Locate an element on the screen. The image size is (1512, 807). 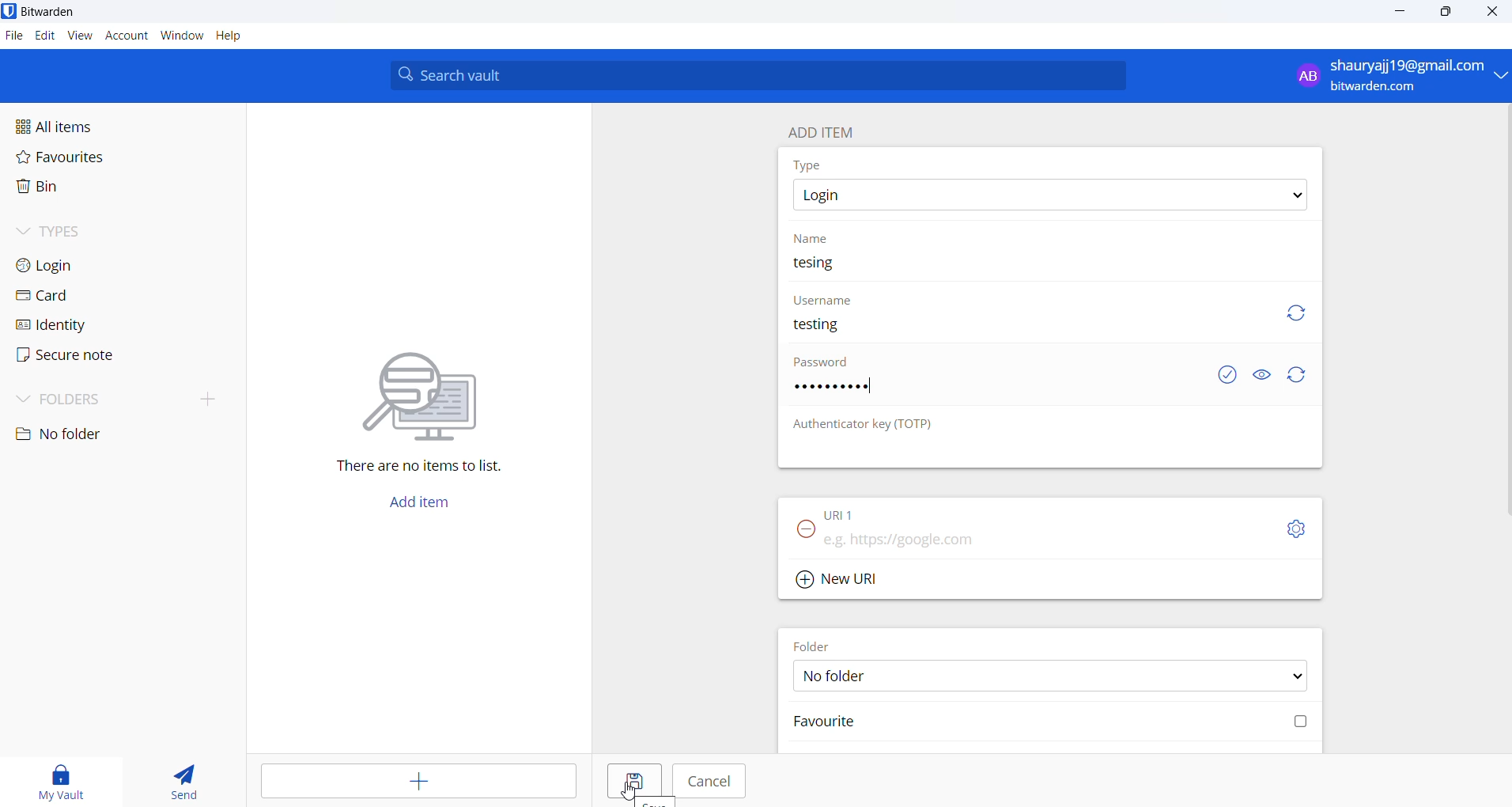
minimize is located at coordinates (1402, 13).